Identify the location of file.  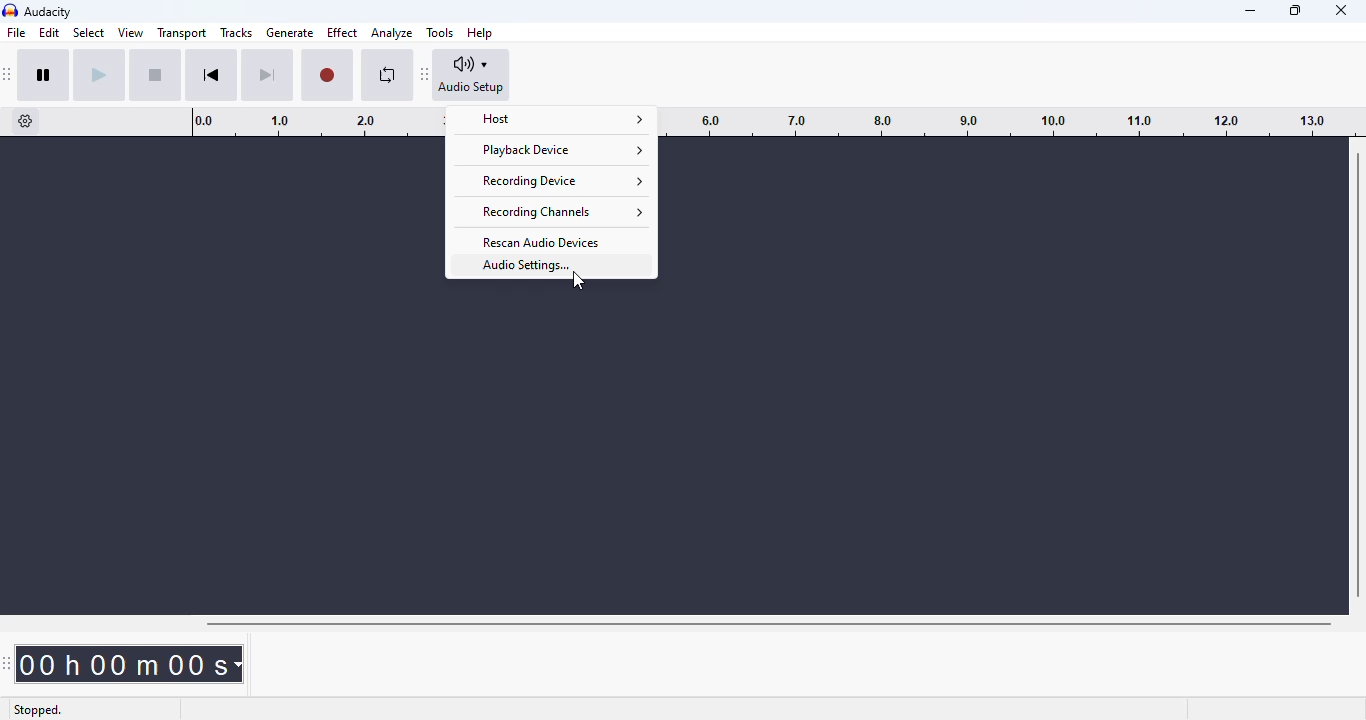
(17, 32).